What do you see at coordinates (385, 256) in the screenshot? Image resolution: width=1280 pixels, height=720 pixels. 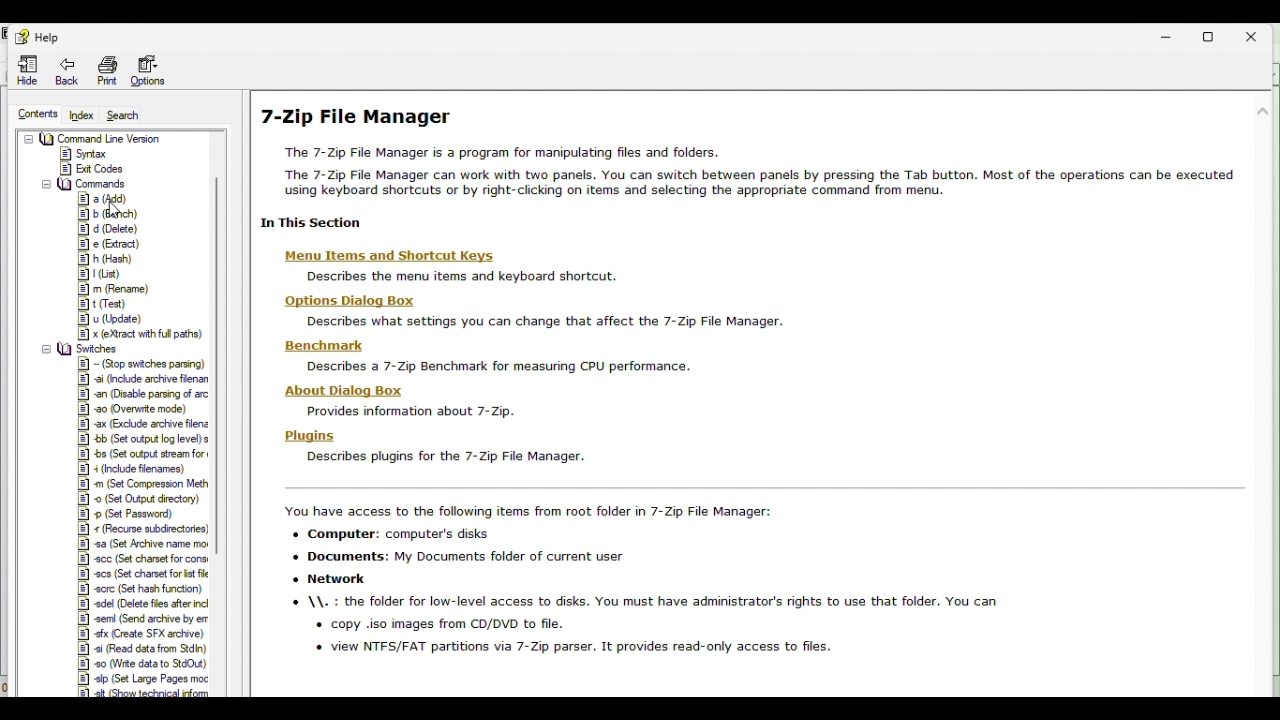 I see `Menu Items and Shortcut Keys` at bounding box center [385, 256].